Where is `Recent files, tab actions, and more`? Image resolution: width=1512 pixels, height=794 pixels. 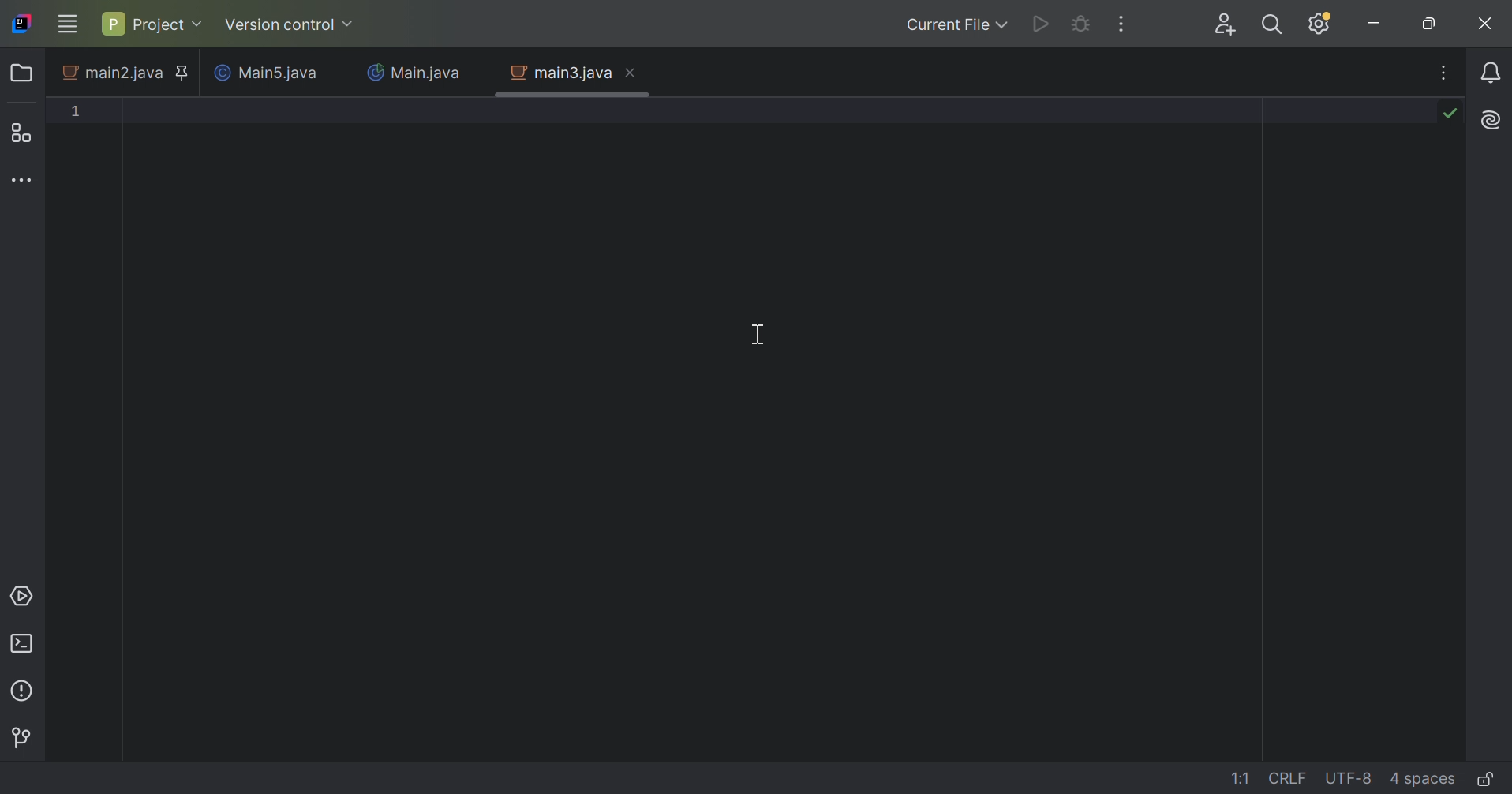 Recent files, tab actions, and more is located at coordinates (1445, 73).